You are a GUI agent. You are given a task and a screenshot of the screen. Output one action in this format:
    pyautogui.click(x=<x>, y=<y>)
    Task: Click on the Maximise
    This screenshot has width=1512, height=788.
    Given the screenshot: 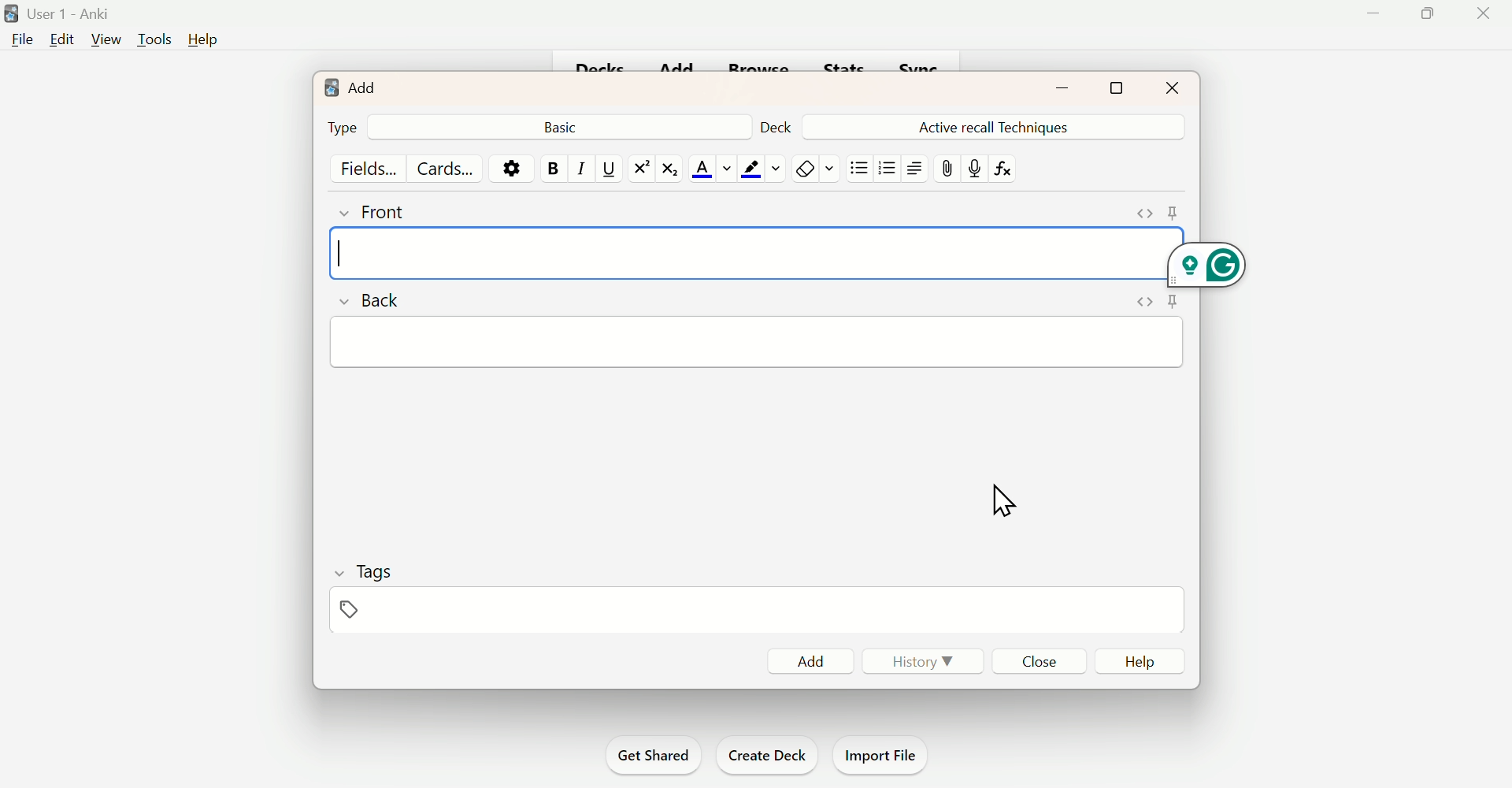 What is the action you would take?
    pyautogui.click(x=1126, y=87)
    